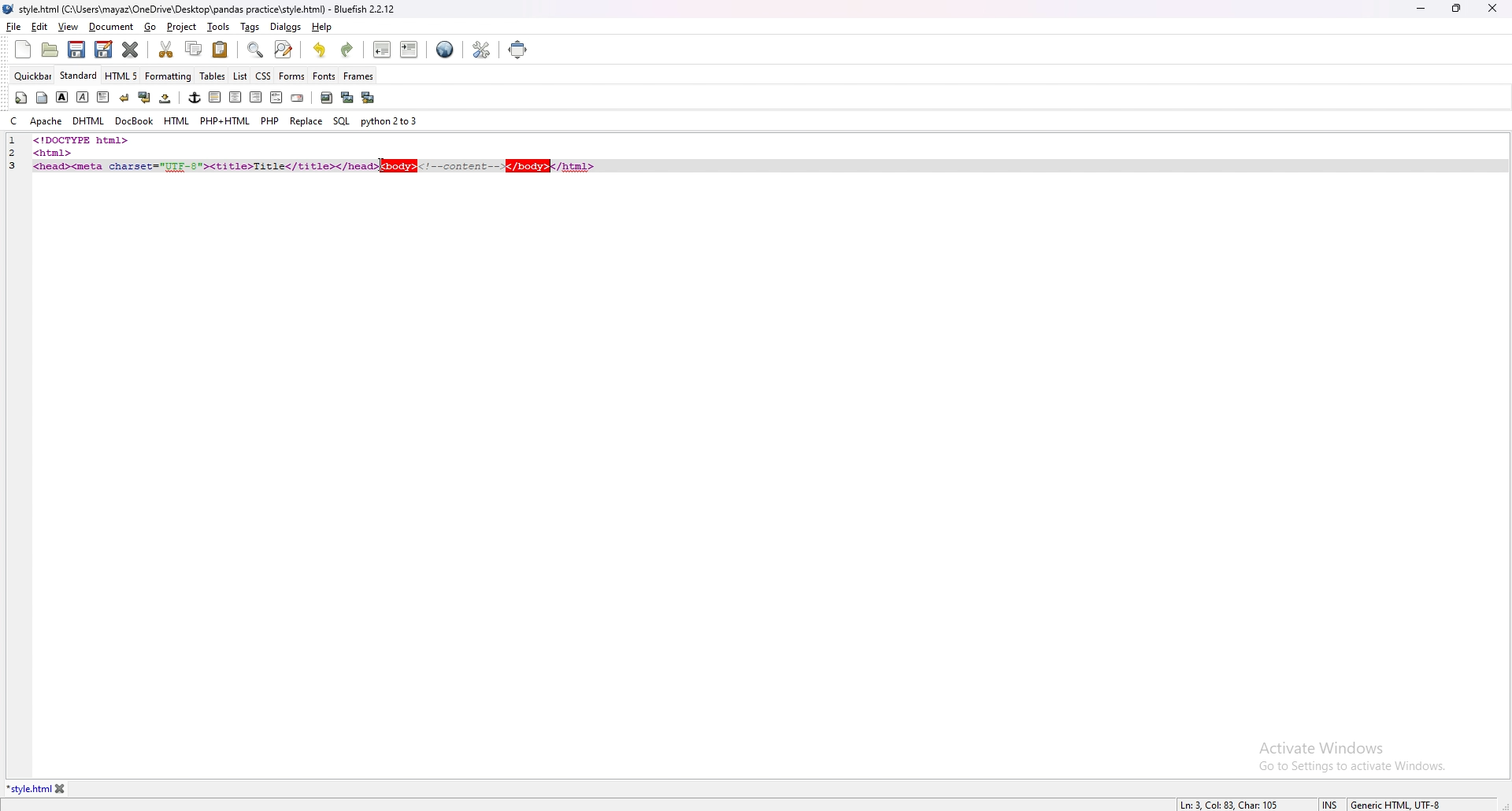 This screenshot has width=1512, height=811. Describe the element at coordinates (367, 97) in the screenshot. I see `multi thumbnail` at that location.